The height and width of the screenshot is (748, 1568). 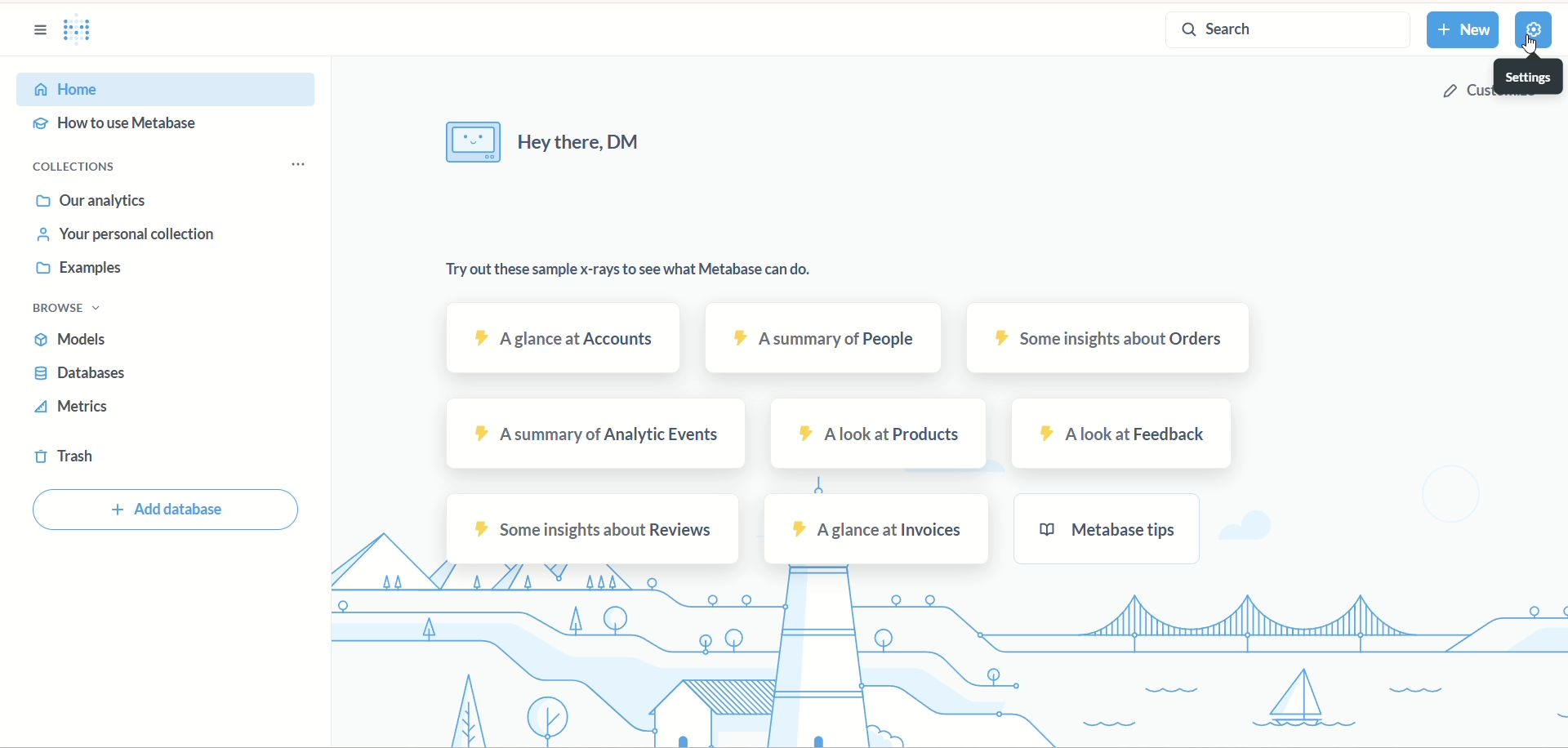 What do you see at coordinates (1526, 77) in the screenshot?
I see `Settings` at bounding box center [1526, 77].